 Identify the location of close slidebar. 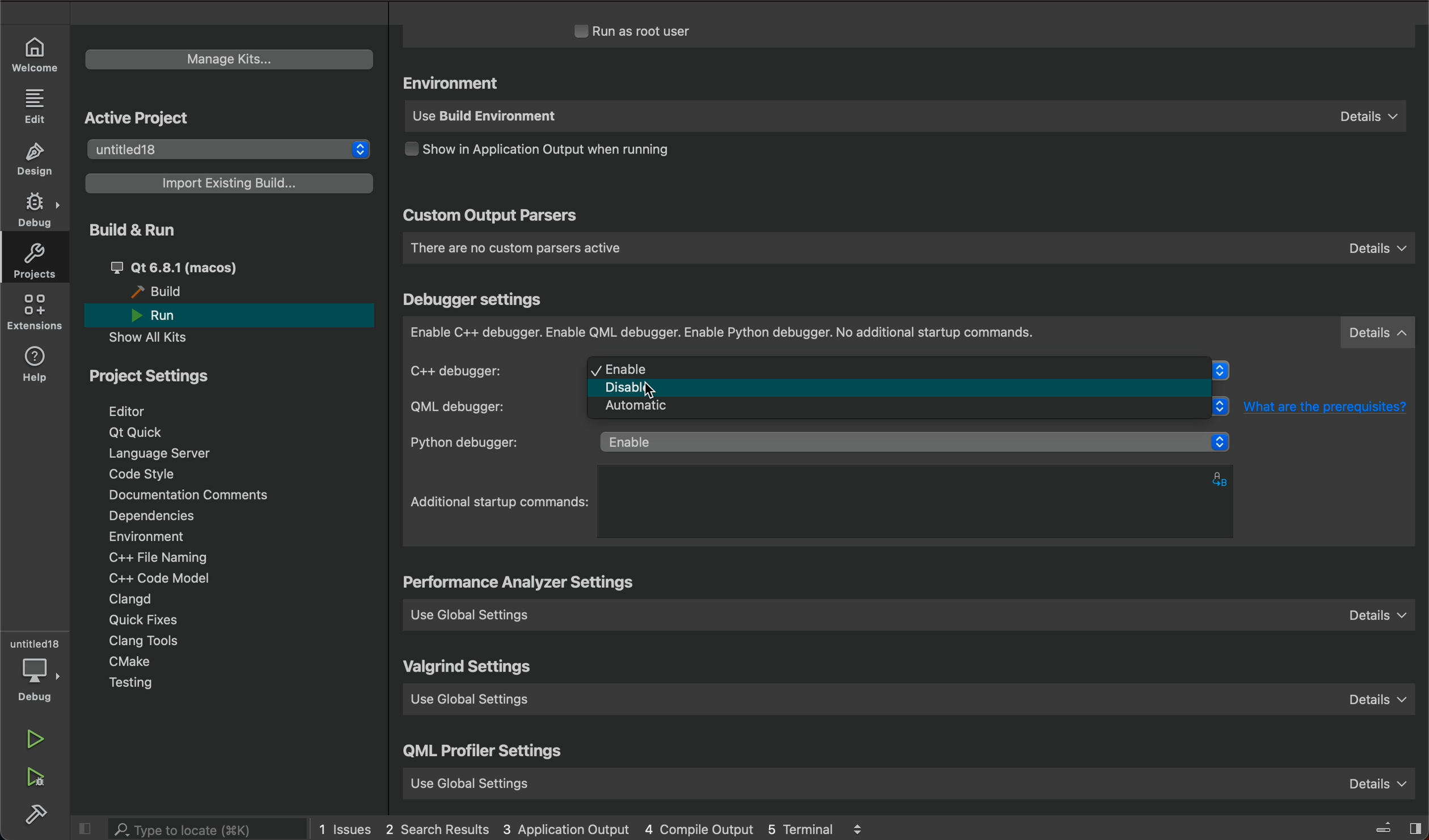
(1384, 826).